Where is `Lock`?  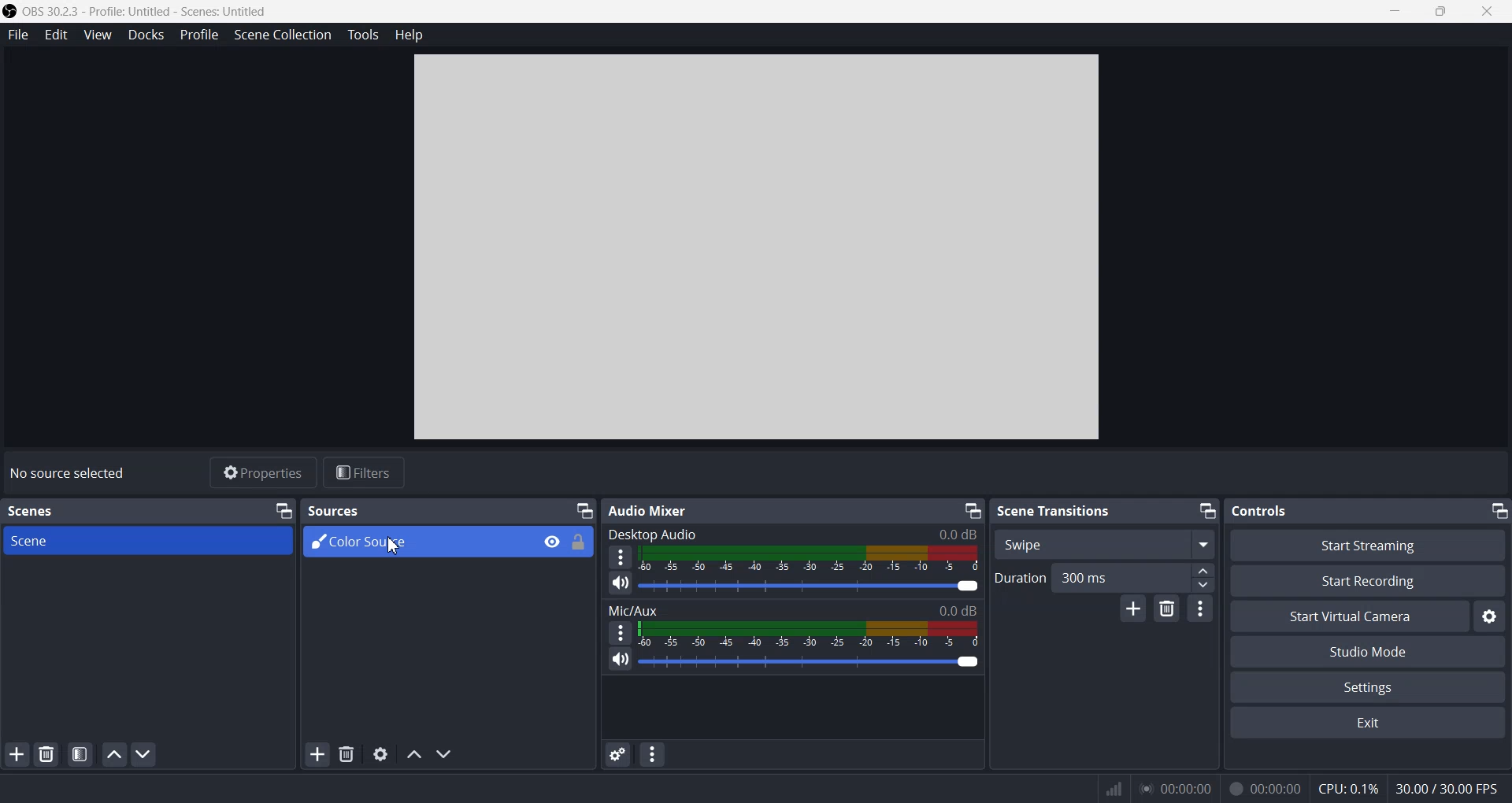 Lock is located at coordinates (579, 542).